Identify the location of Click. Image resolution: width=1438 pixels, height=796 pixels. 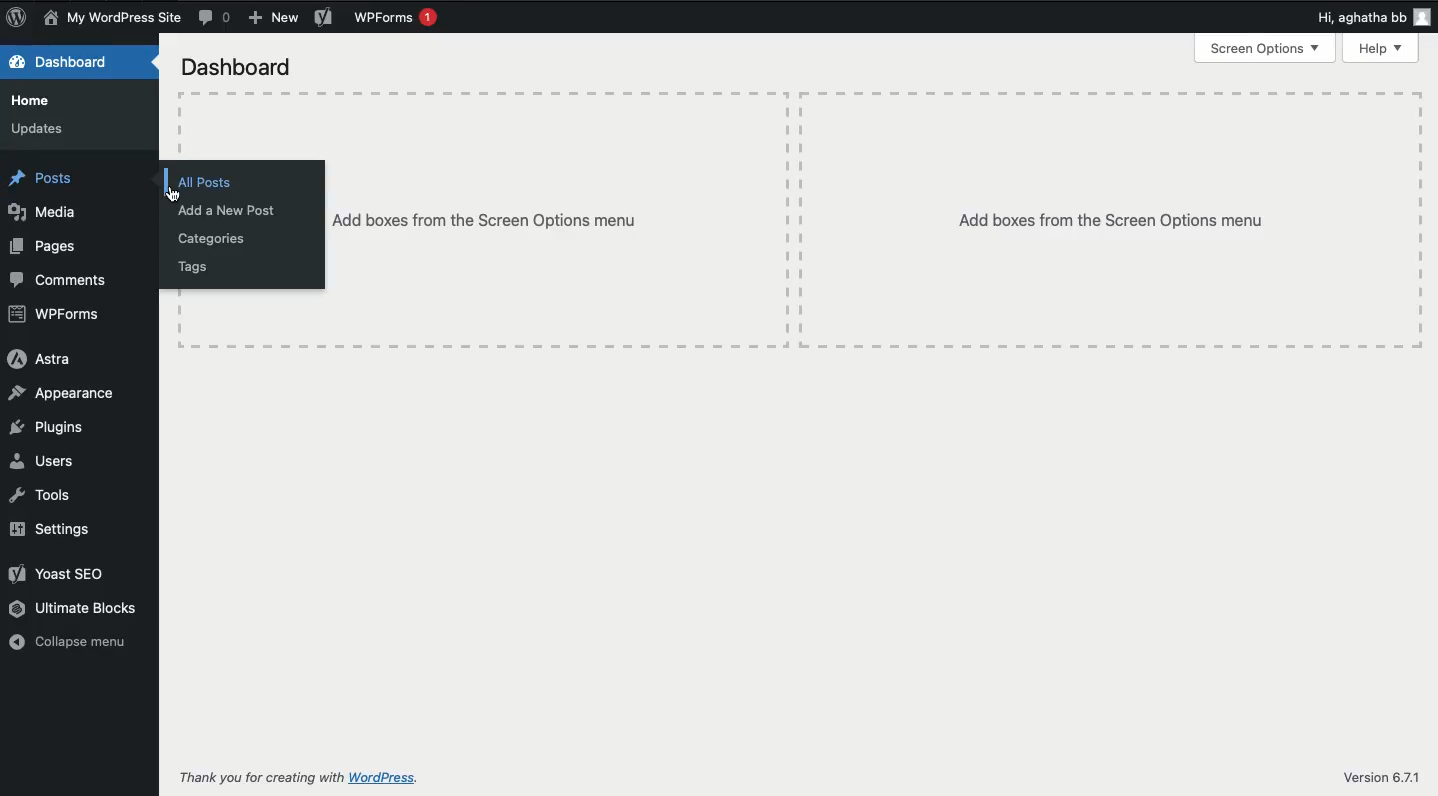
(178, 197).